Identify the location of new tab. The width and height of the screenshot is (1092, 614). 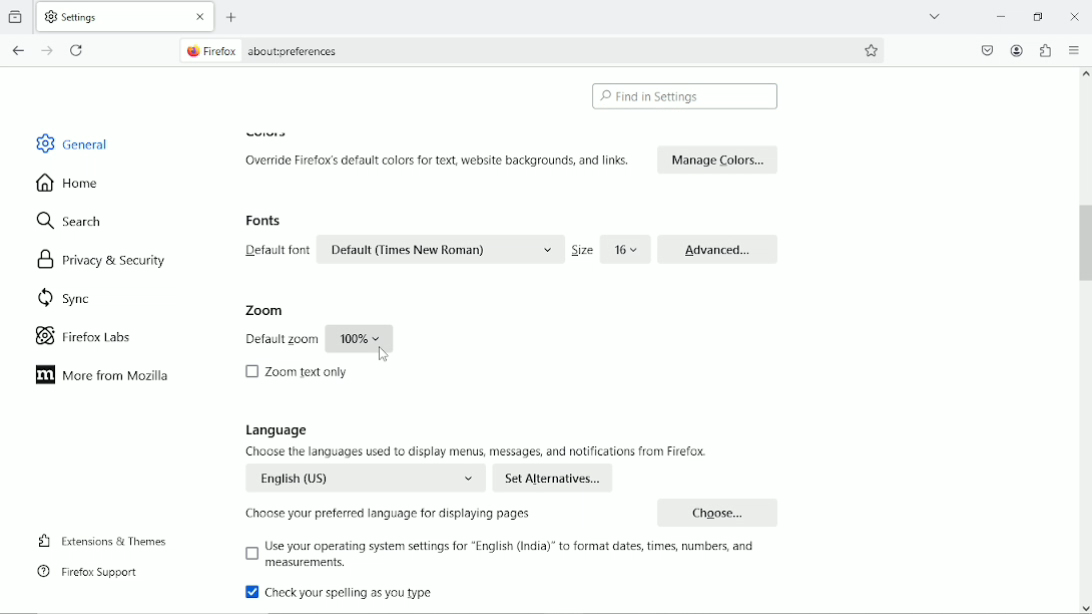
(233, 17).